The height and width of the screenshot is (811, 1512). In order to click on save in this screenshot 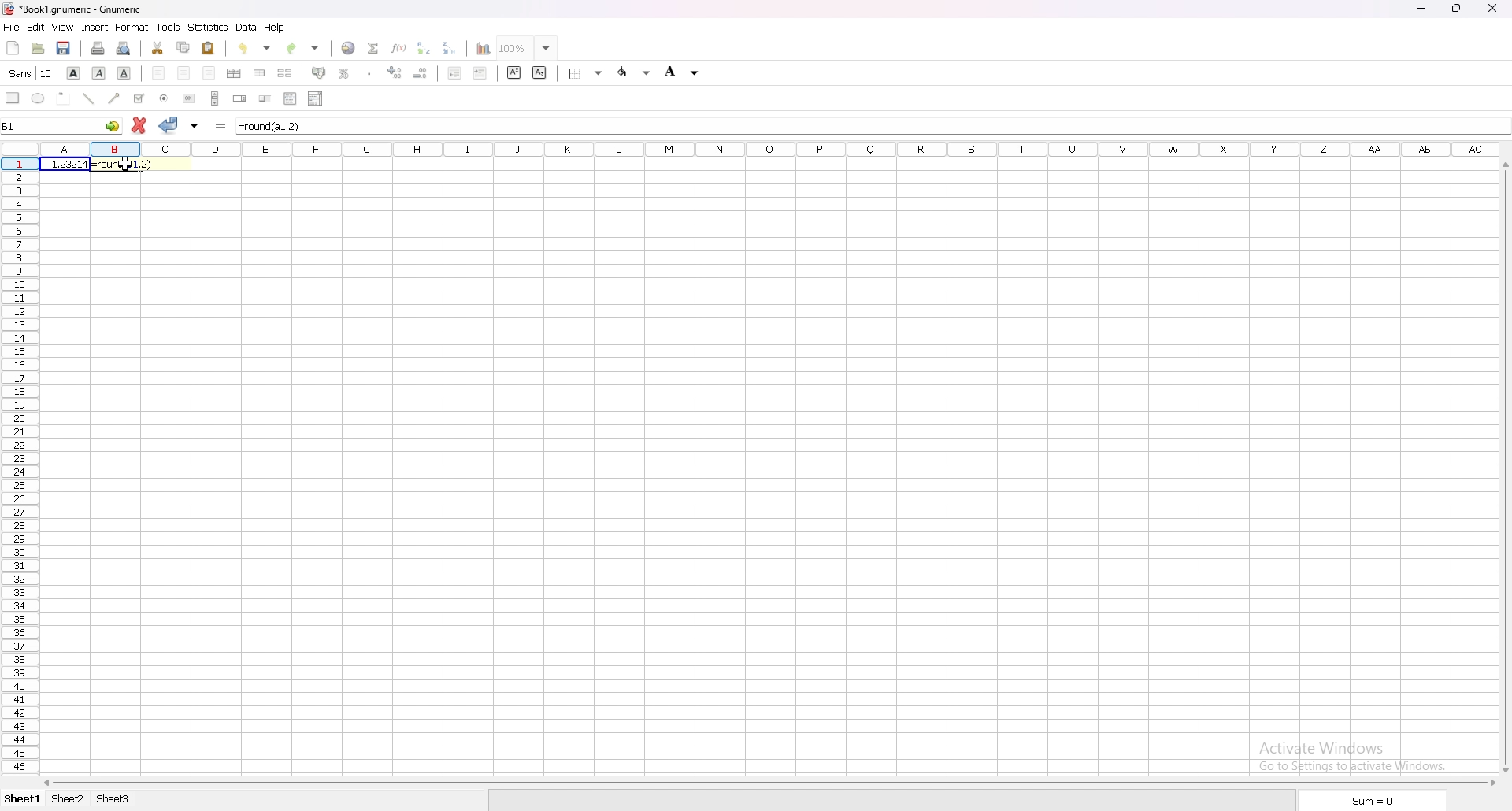, I will do `click(63, 47)`.